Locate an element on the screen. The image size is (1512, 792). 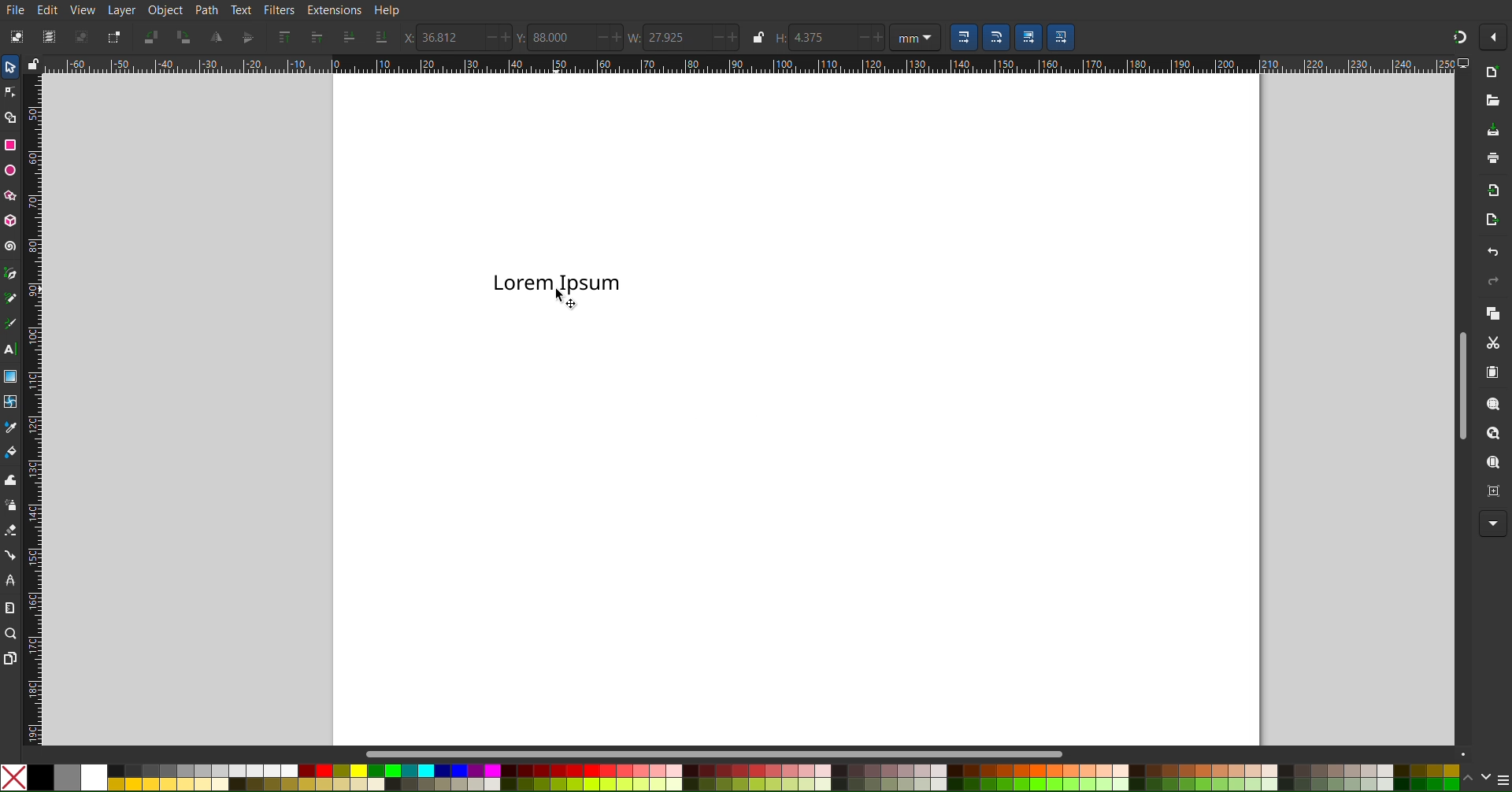
Units is located at coordinates (915, 36).